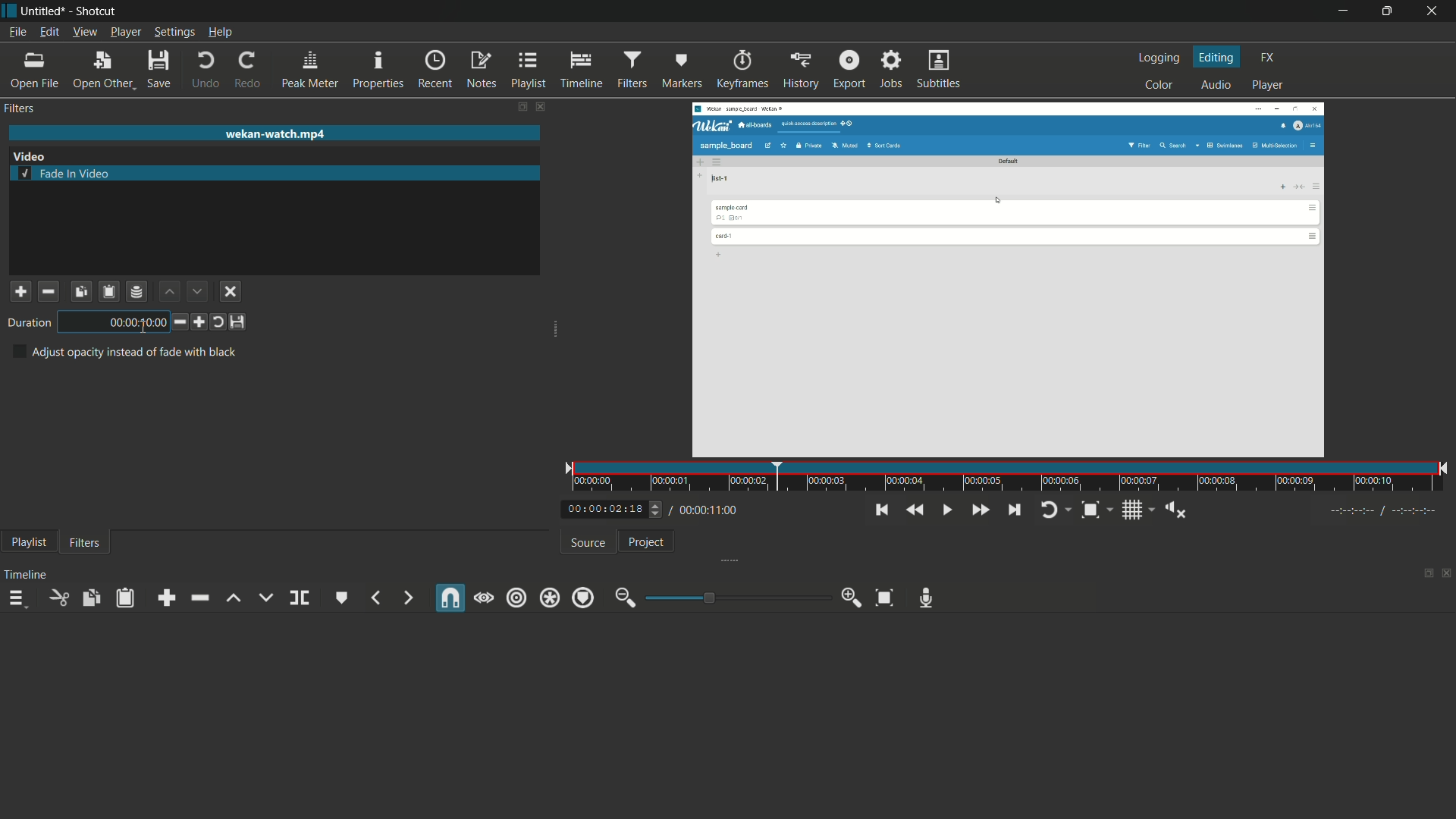 The image size is (1456, 819). Describe the element at coordinates (48, 290) in the screenshot. I see `remove the filter` at that location.